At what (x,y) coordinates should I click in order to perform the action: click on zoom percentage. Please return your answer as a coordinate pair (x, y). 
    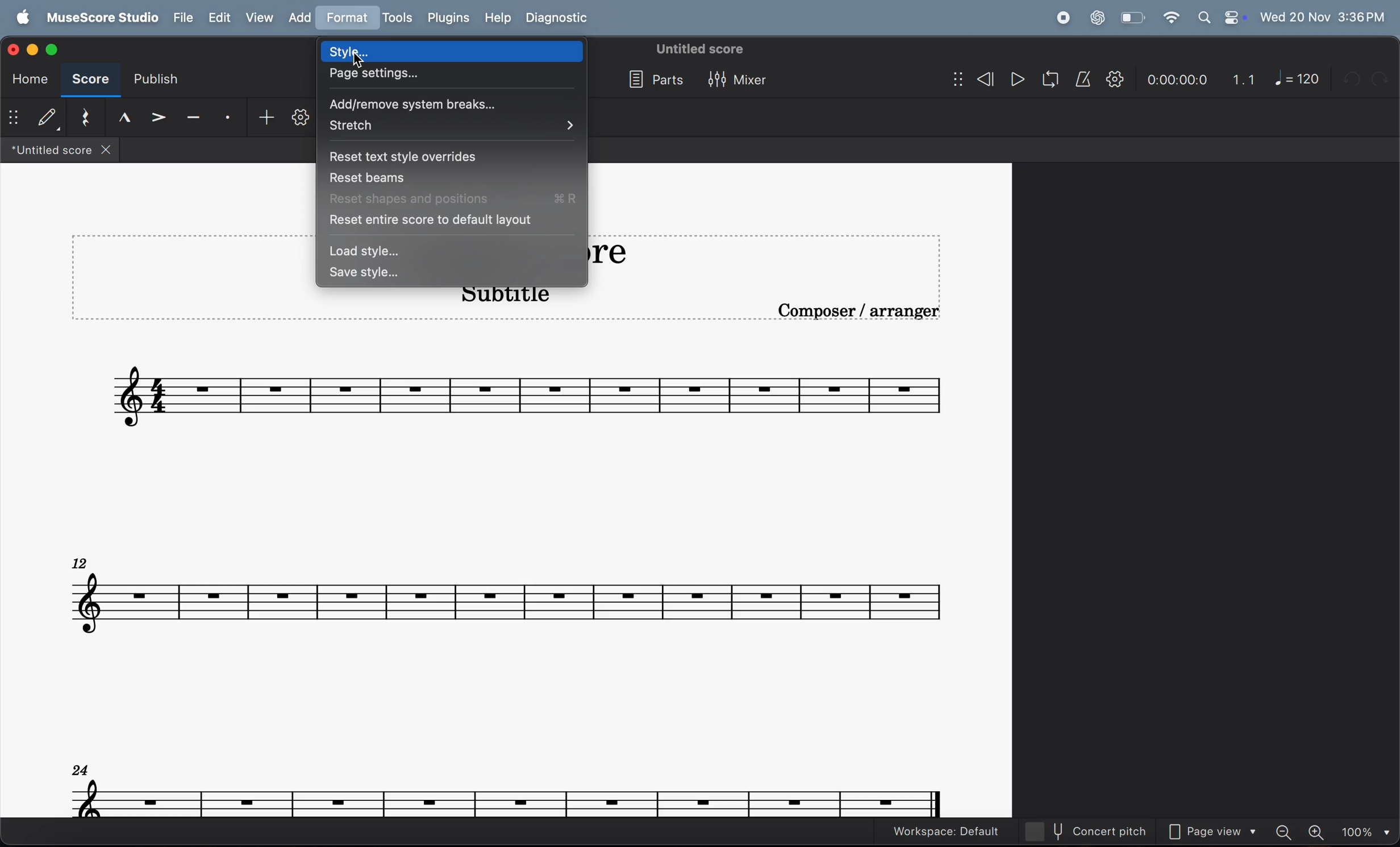
    Looking at the image, I should click on (1364, 832).